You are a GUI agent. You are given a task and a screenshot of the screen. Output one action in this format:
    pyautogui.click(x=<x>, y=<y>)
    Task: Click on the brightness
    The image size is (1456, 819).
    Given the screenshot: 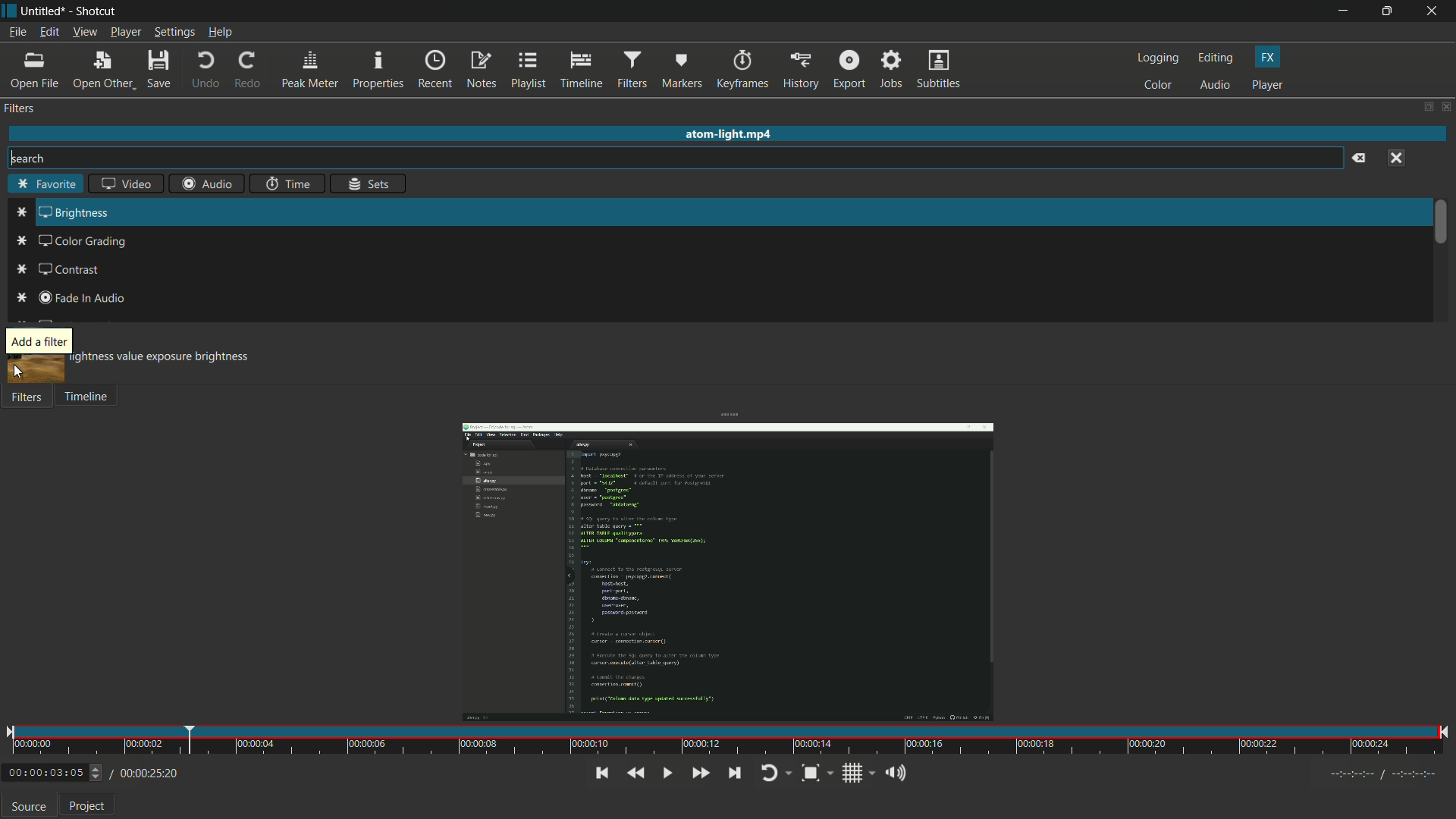 What is the action you would take?
    pyautogui.click(x=74, y=213)
    